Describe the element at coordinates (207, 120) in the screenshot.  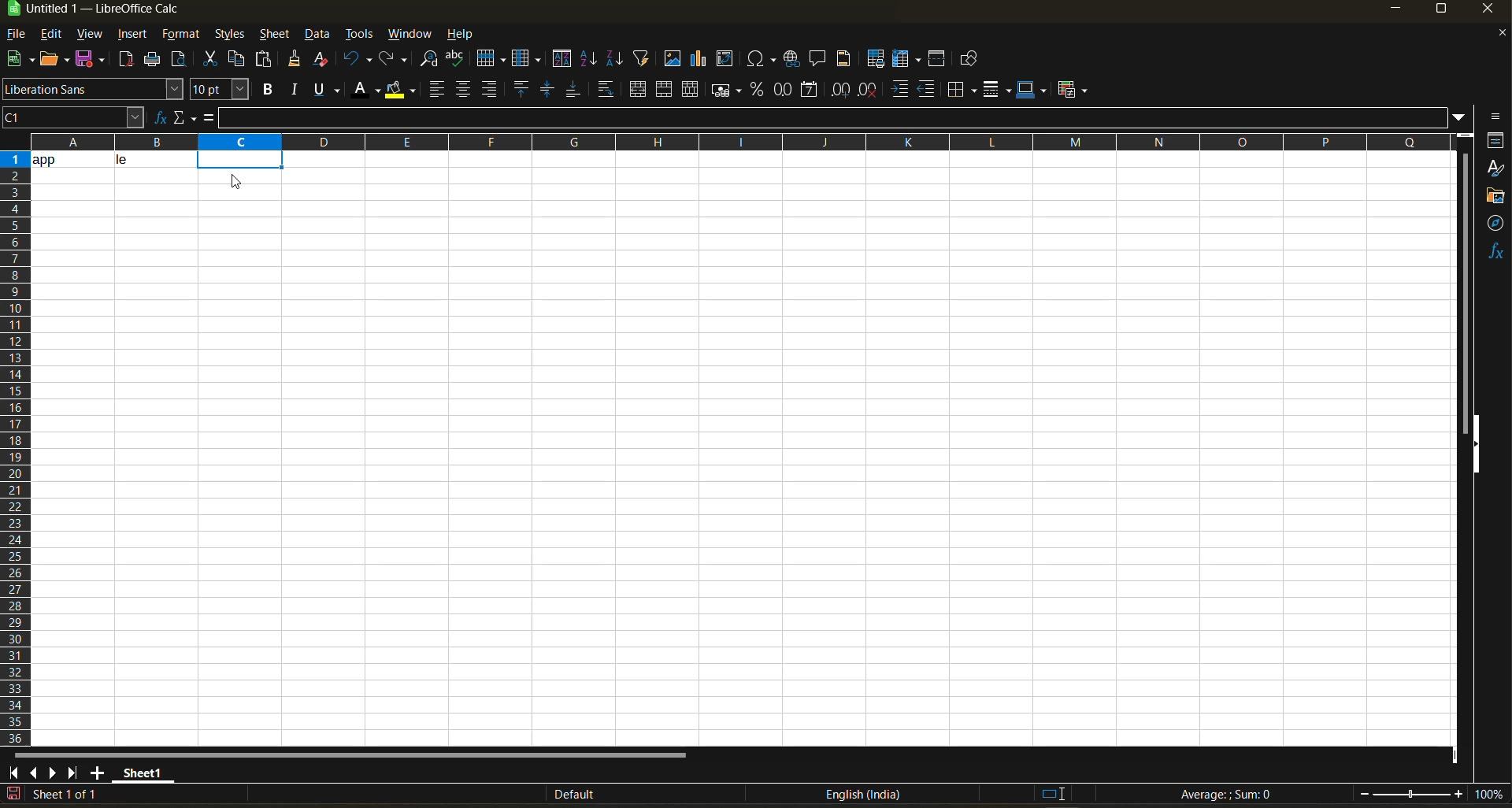
I see `formula` at that location.